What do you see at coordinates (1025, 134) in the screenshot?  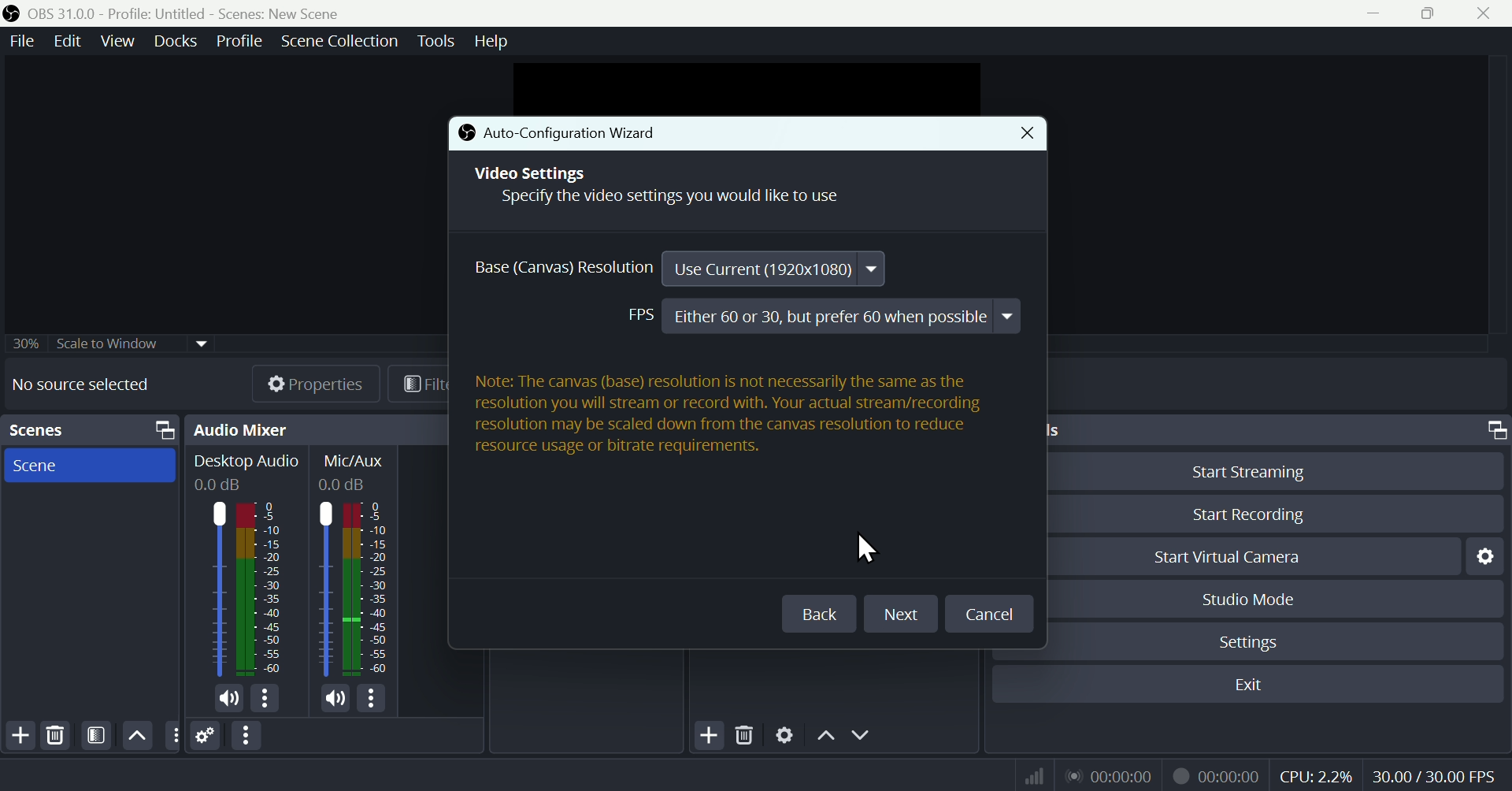 I see `Close` at bounding box center [1025, 134].